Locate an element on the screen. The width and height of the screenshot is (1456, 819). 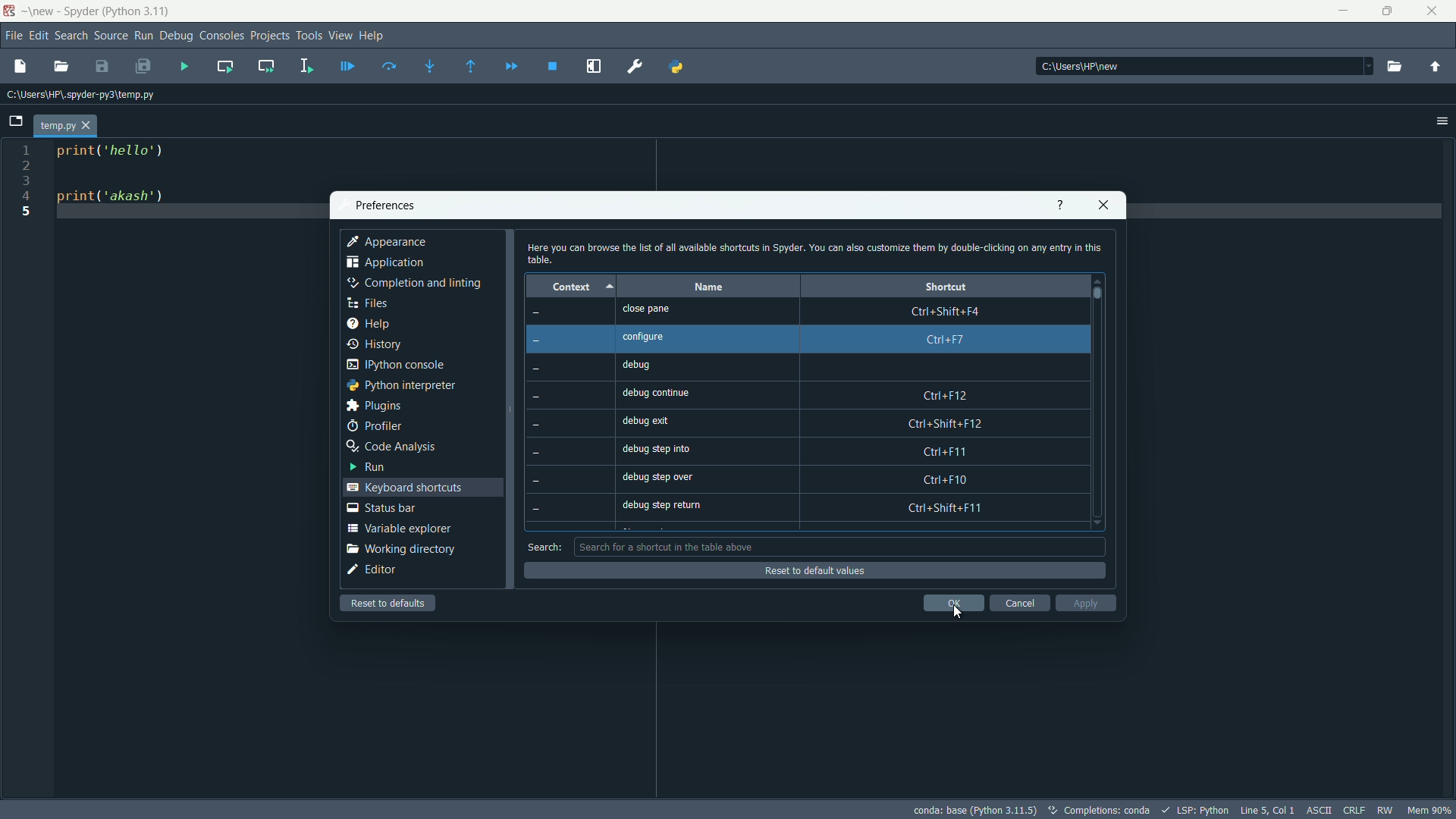
parent directory is located at coordinates (1437, 67).